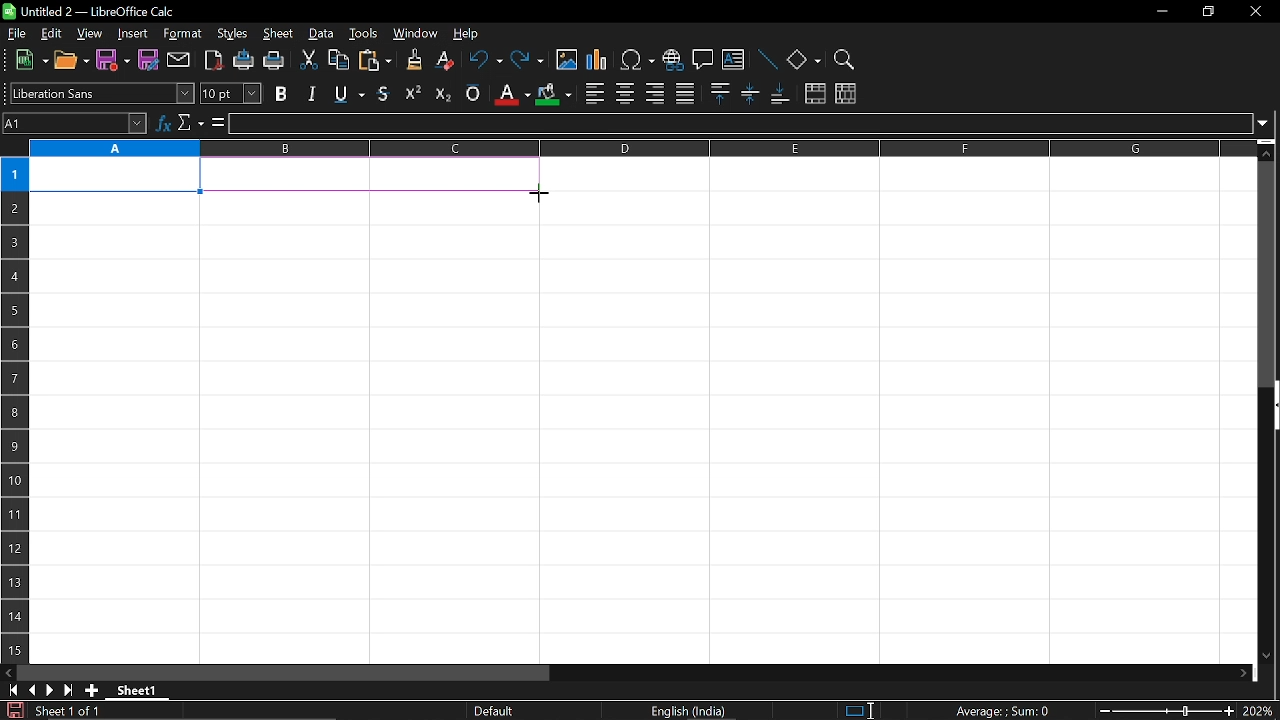 This screenshot has width=1280, height=720. What do you see at coordinates (12, 710) in the screenshot?
I see `save ` at bounding box center [12, 710].